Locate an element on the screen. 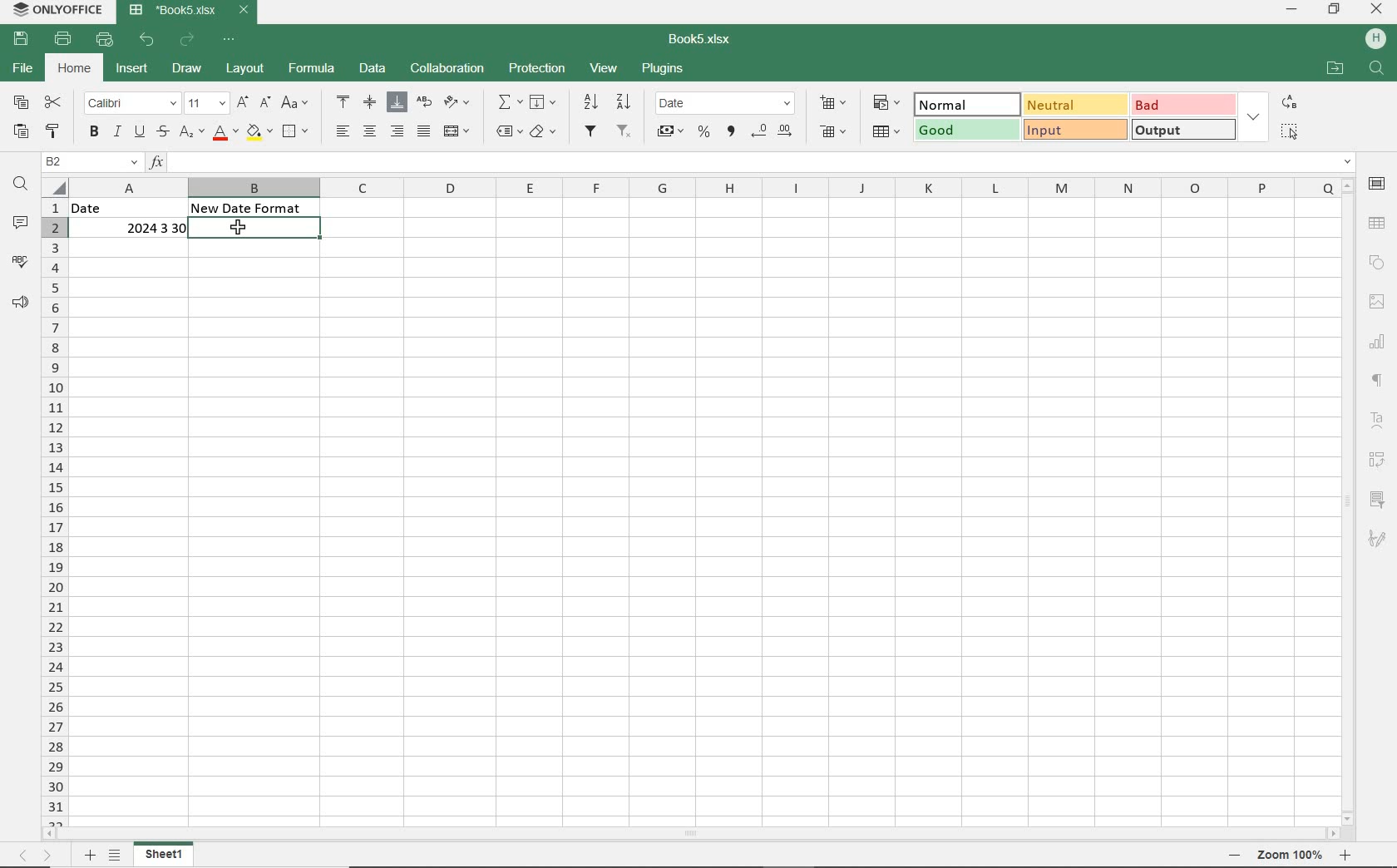 The height and width of the screenshot is (868, 1397). ACCOUNTING STYLE is located at coordinates (672, 133).